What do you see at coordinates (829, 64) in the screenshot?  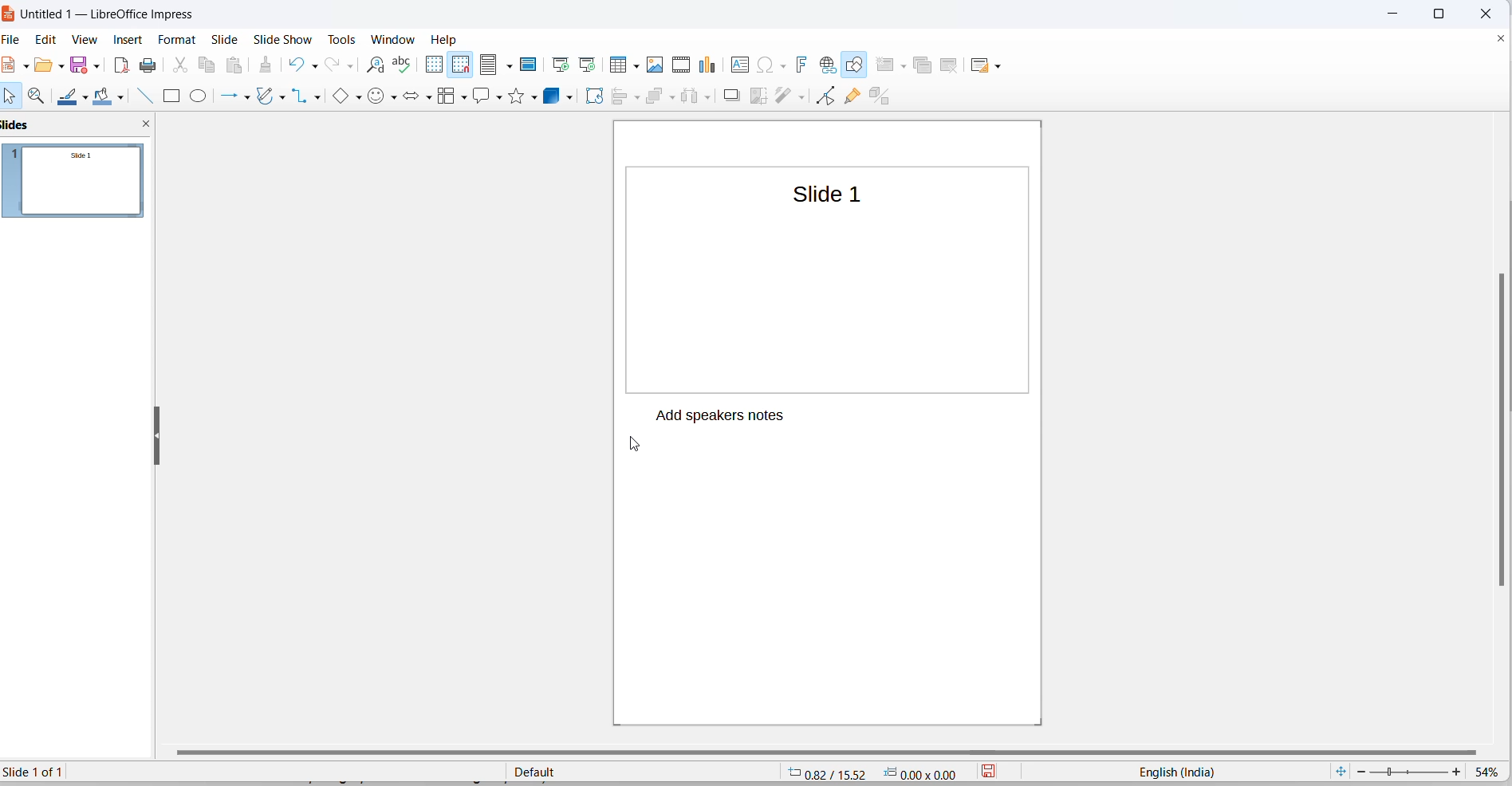 I see `insert hyperlinks` at bounding box center [829, 64].